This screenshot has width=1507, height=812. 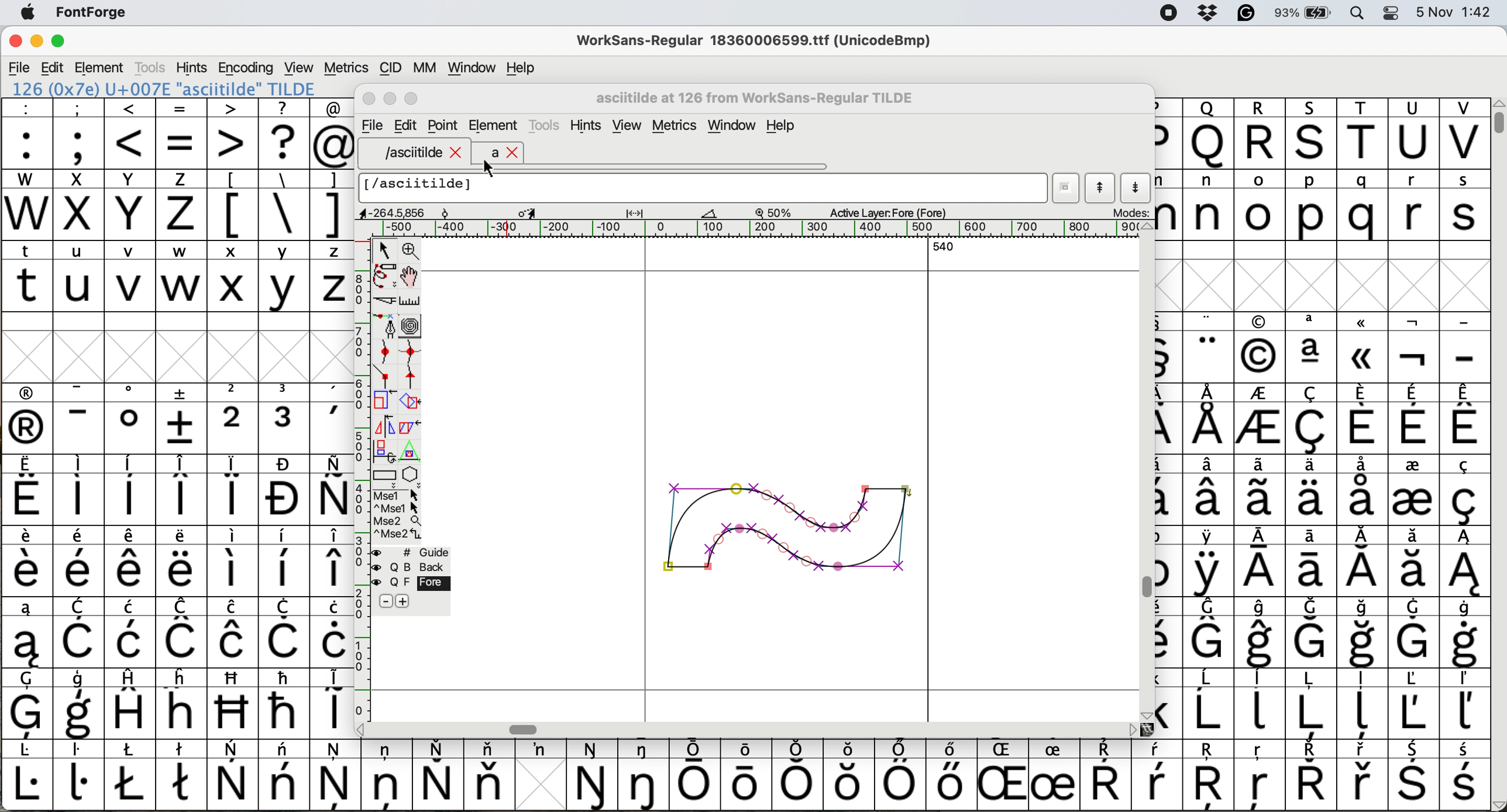 I want to click on symbol, so click(x=1054, y=776).